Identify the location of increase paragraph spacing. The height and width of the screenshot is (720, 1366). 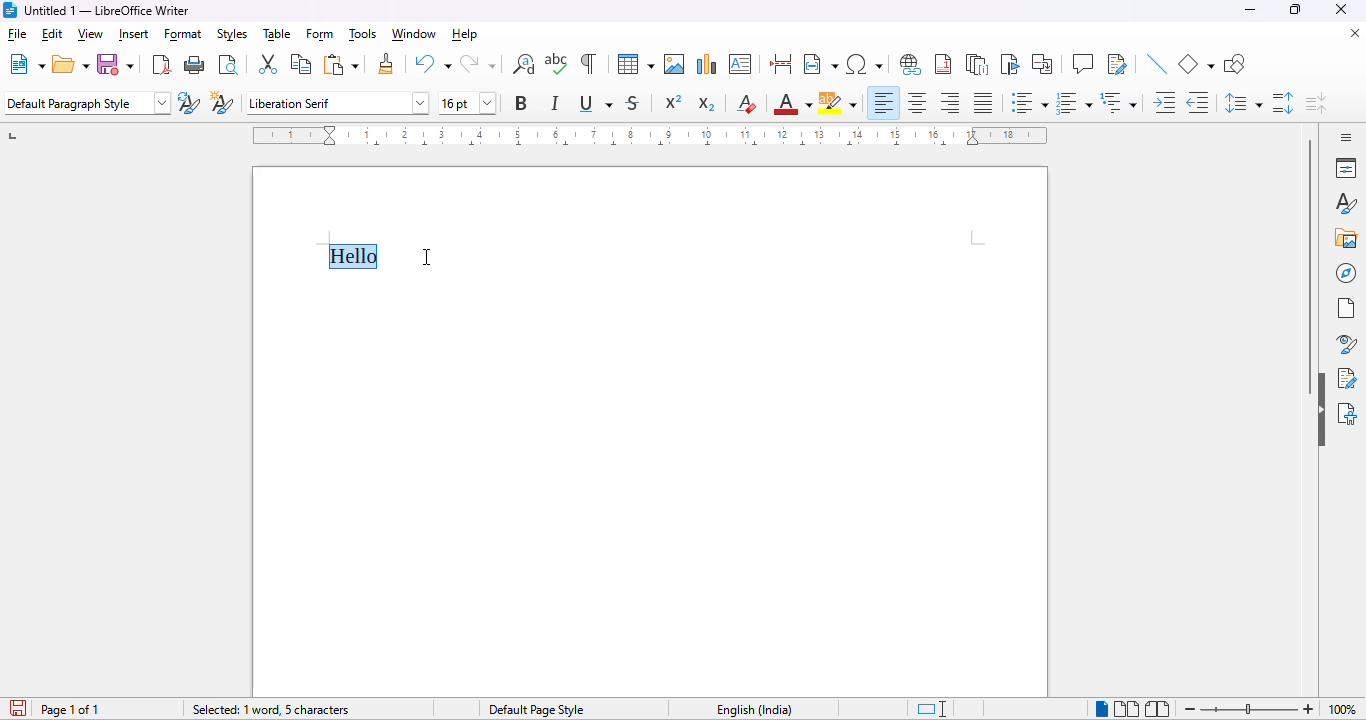
(1284, 104).